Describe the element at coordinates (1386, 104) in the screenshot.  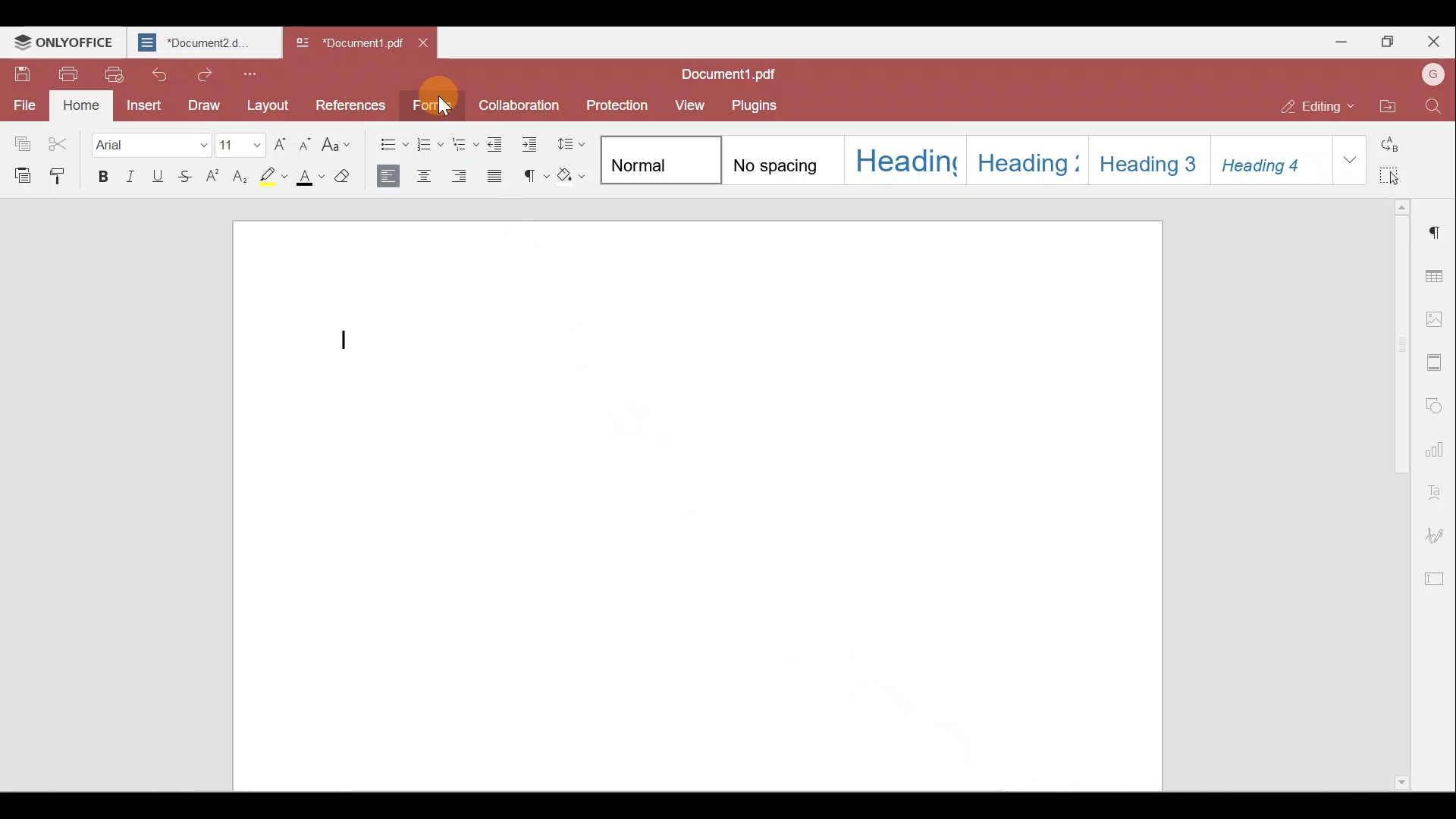
I see `Open file location` at that location.